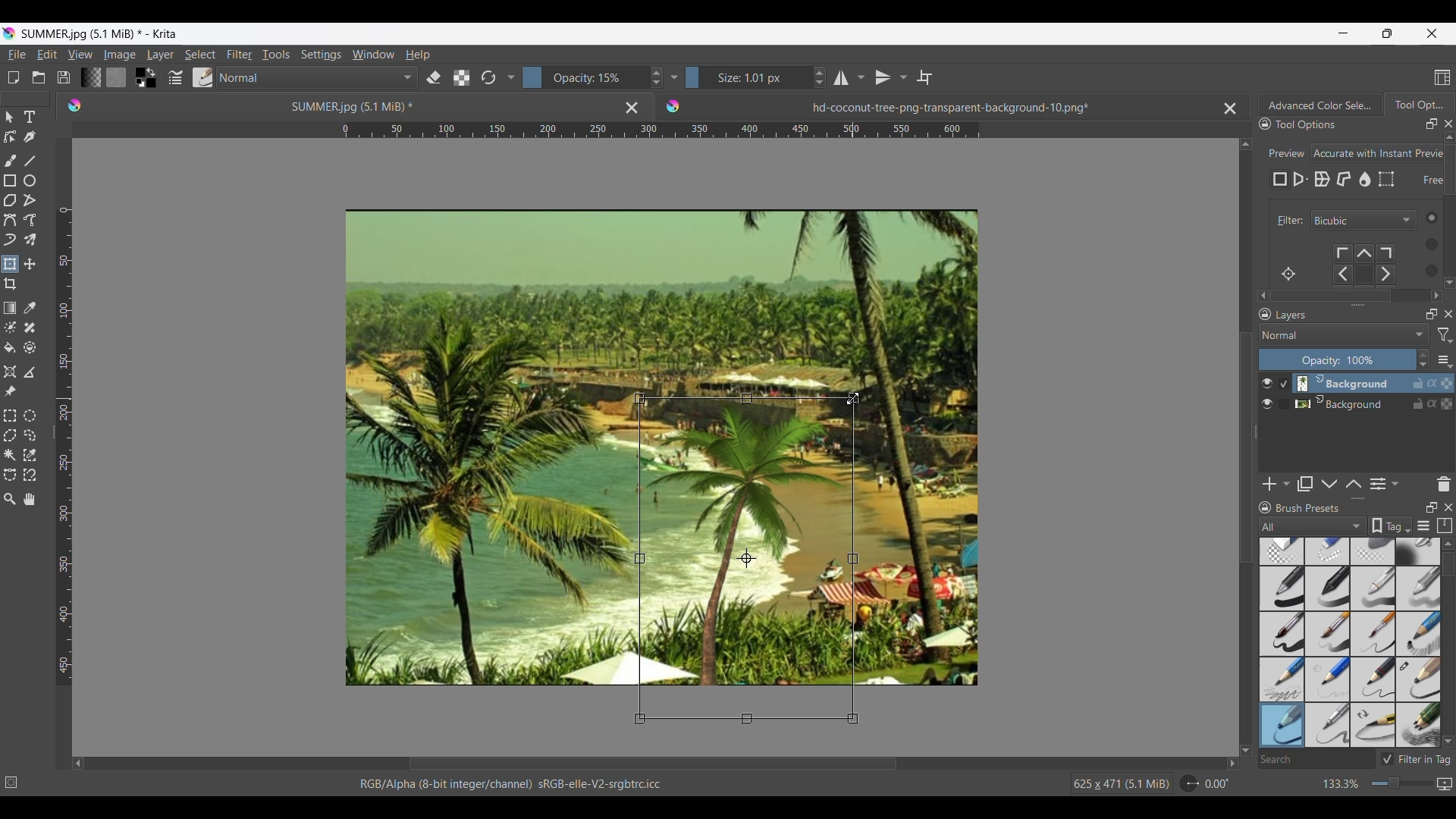 This screenshot has width=1456, height=819. Describe the element at coordinates (861, 77) in the screenshot. I see `Horizontal flip options` at that location.